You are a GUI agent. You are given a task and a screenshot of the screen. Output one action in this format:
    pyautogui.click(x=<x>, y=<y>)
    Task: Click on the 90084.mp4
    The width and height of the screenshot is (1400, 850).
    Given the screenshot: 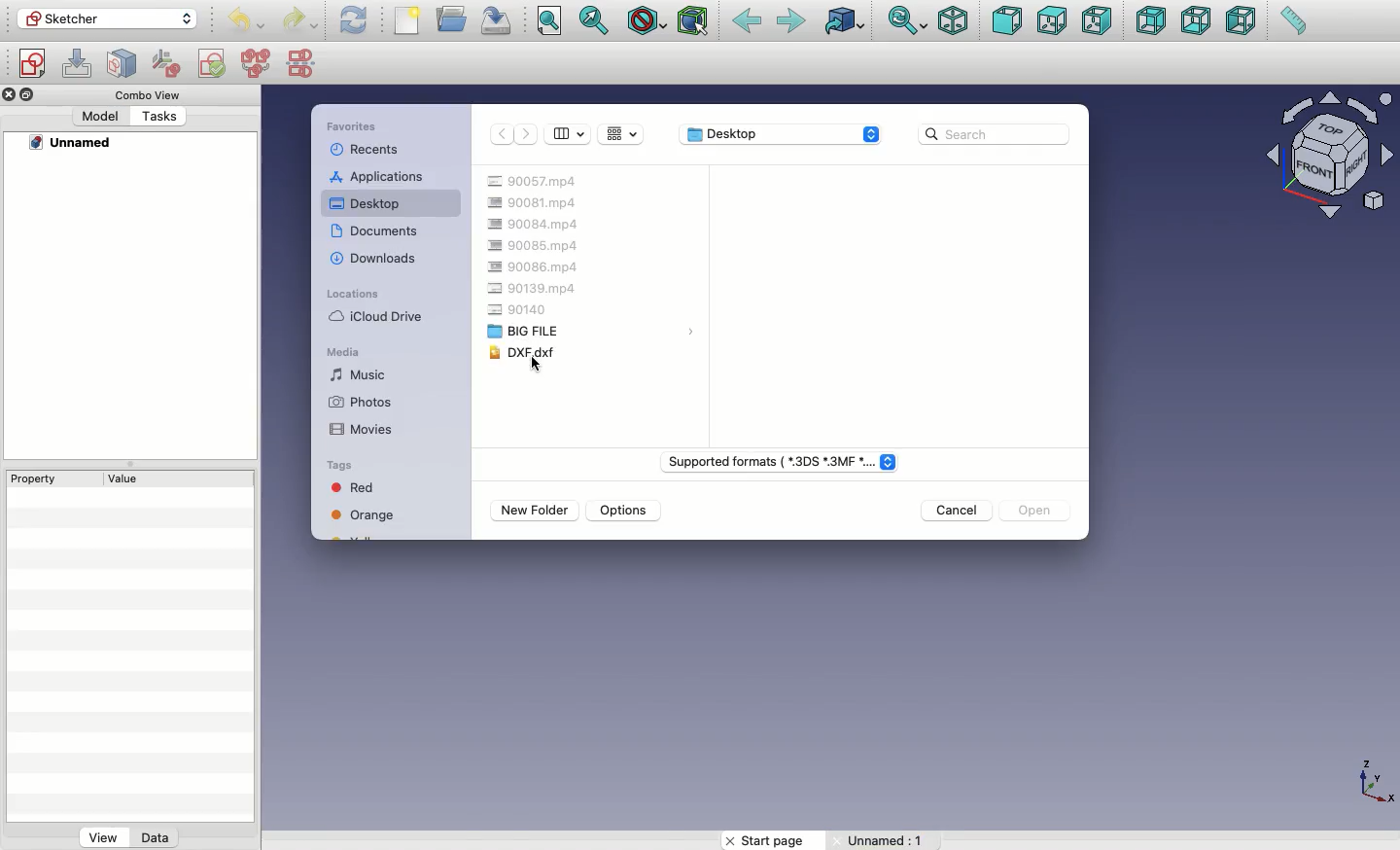 What is the action you would take?
    pyautogui.click(x=542, y=222)
    